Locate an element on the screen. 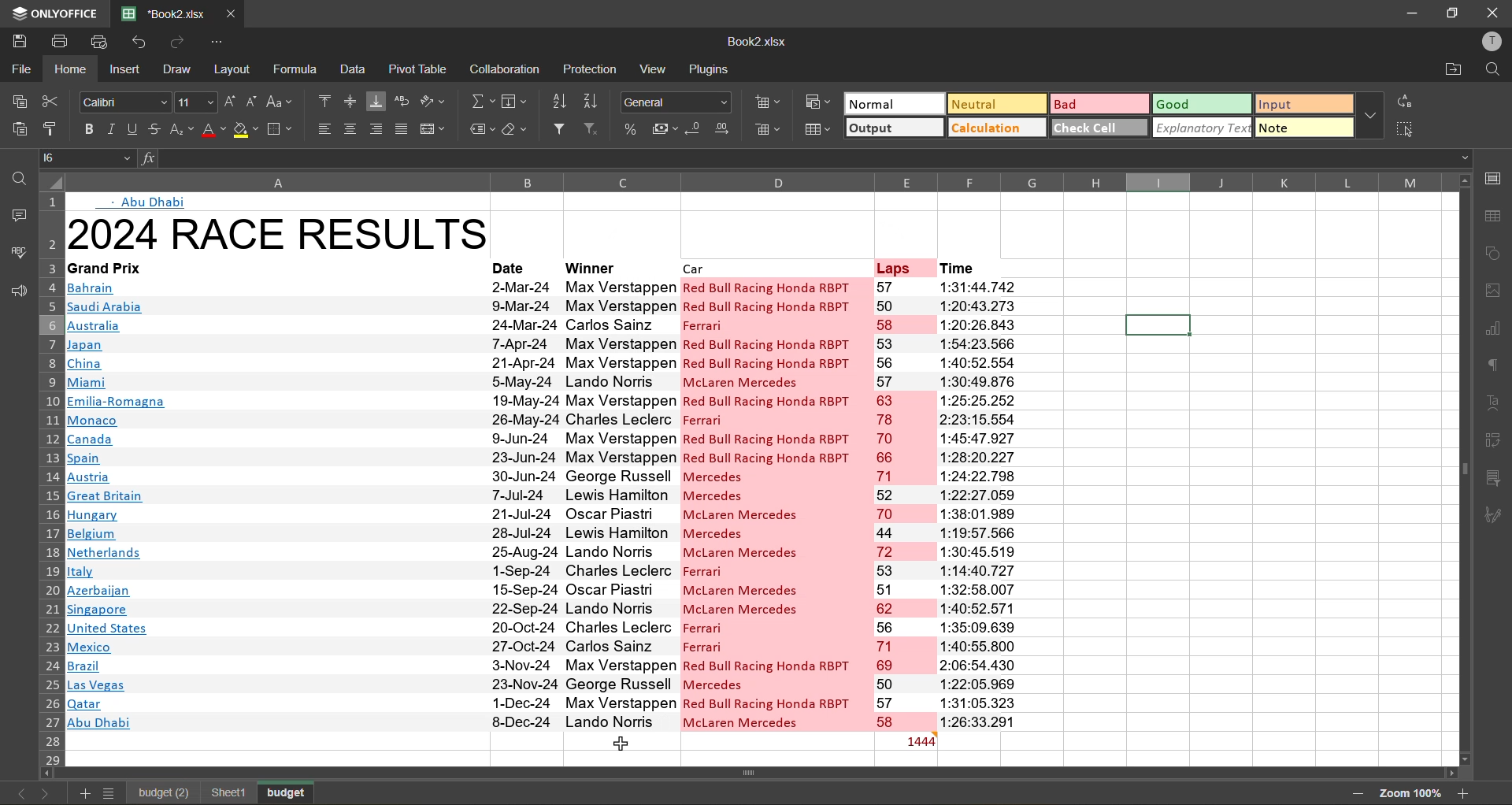 The image size is (1512, 805). spell check is located at coordinates (17, 251).